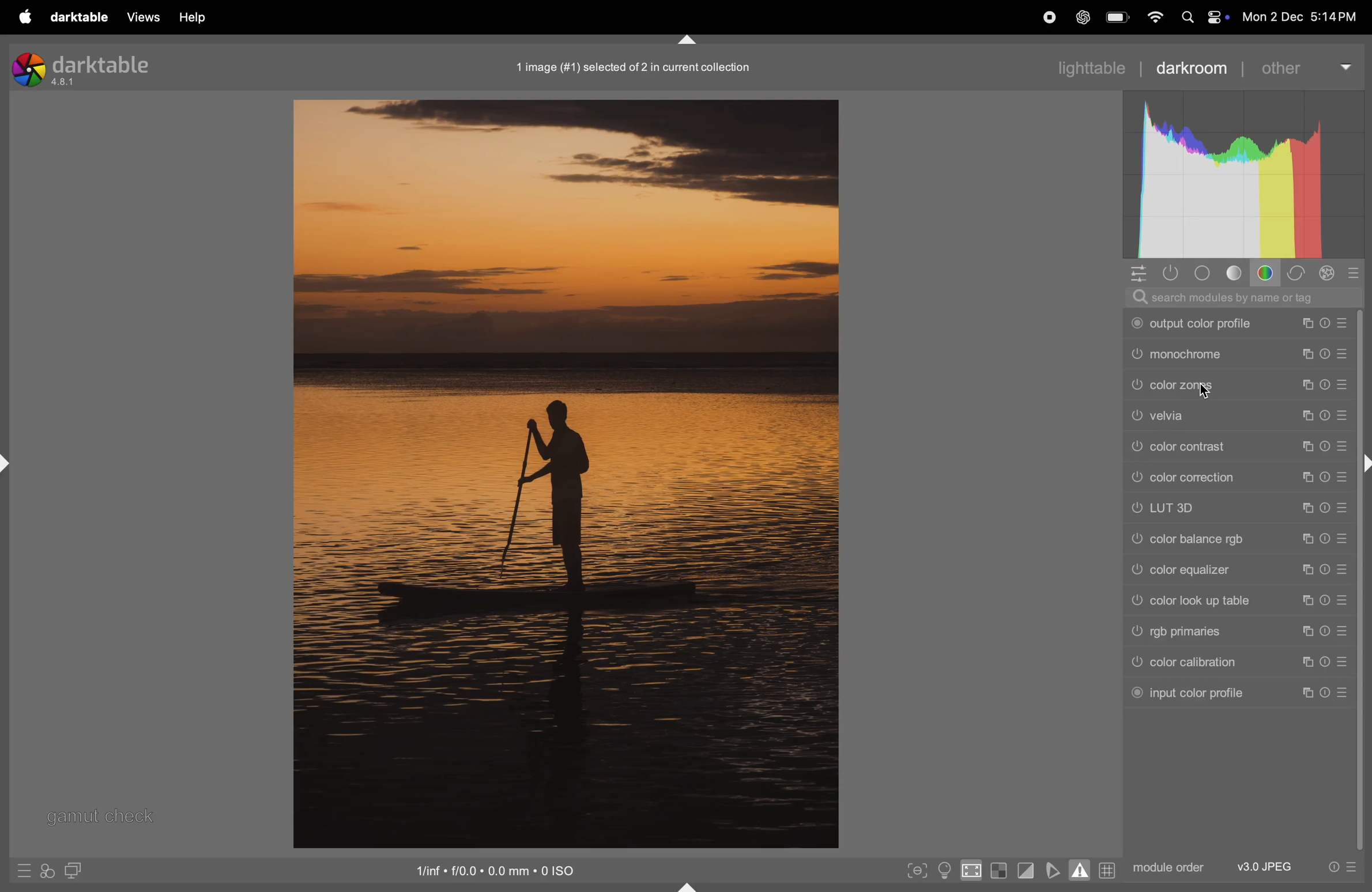 The width and height of the screenshot is (1372, 892). I want to click on preset, so click(1344, 538).